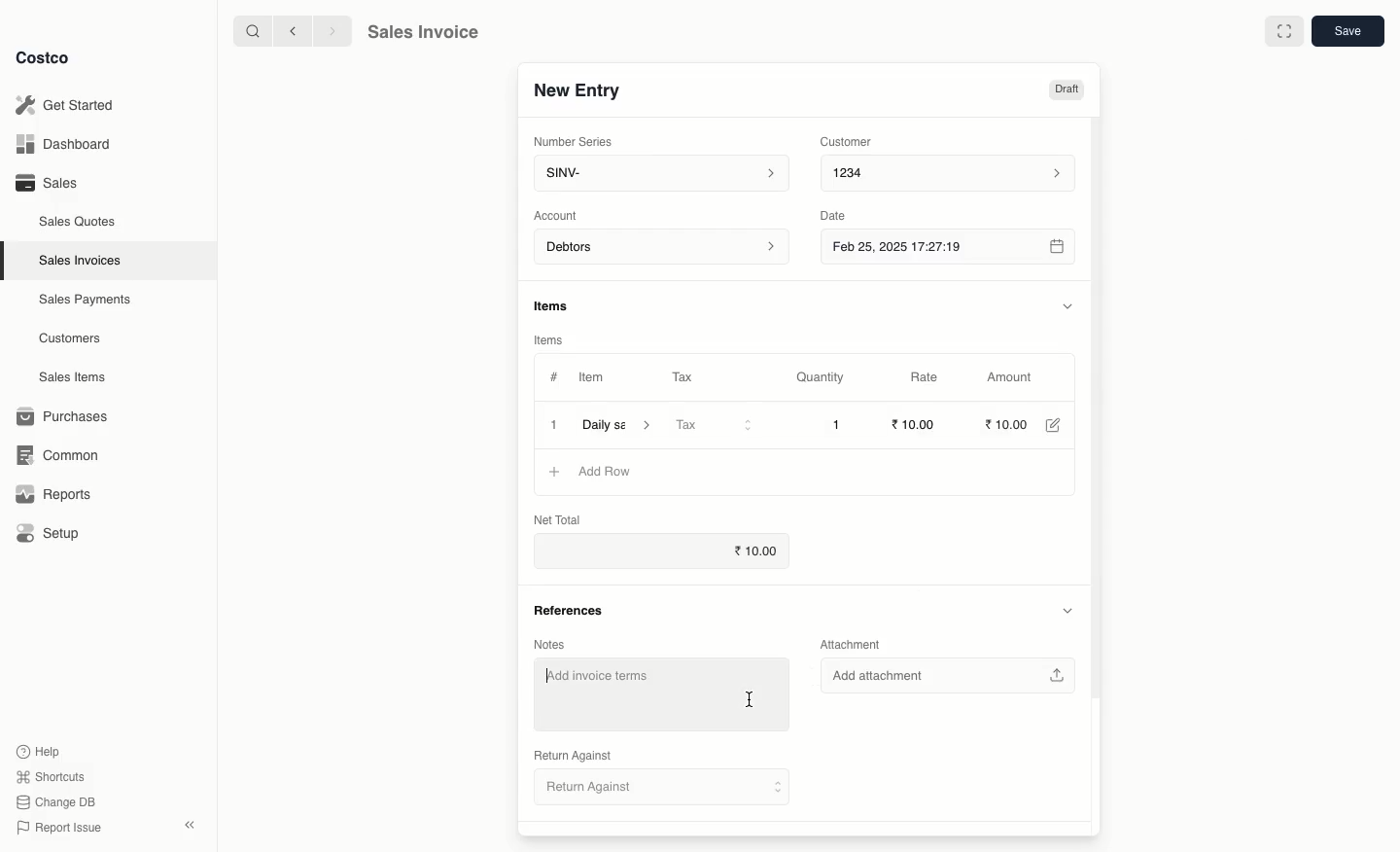 The width and height of the screenshot is (1400, 852). I want to click on ‘Amount, so click(1018, 378).